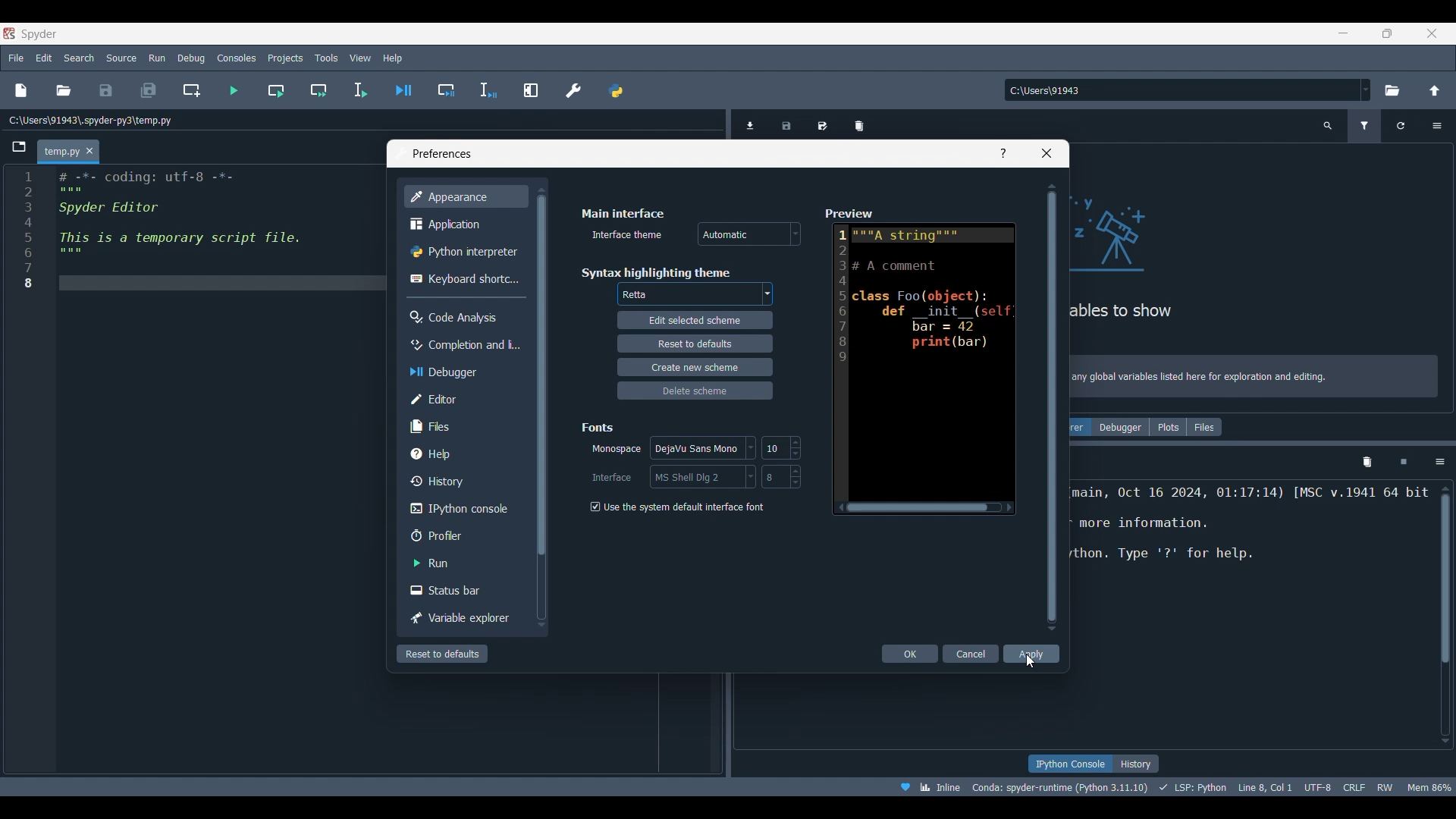  Describe the element at coordinates (694, 366) in the screenshot. I see `create new scheme` at that location.